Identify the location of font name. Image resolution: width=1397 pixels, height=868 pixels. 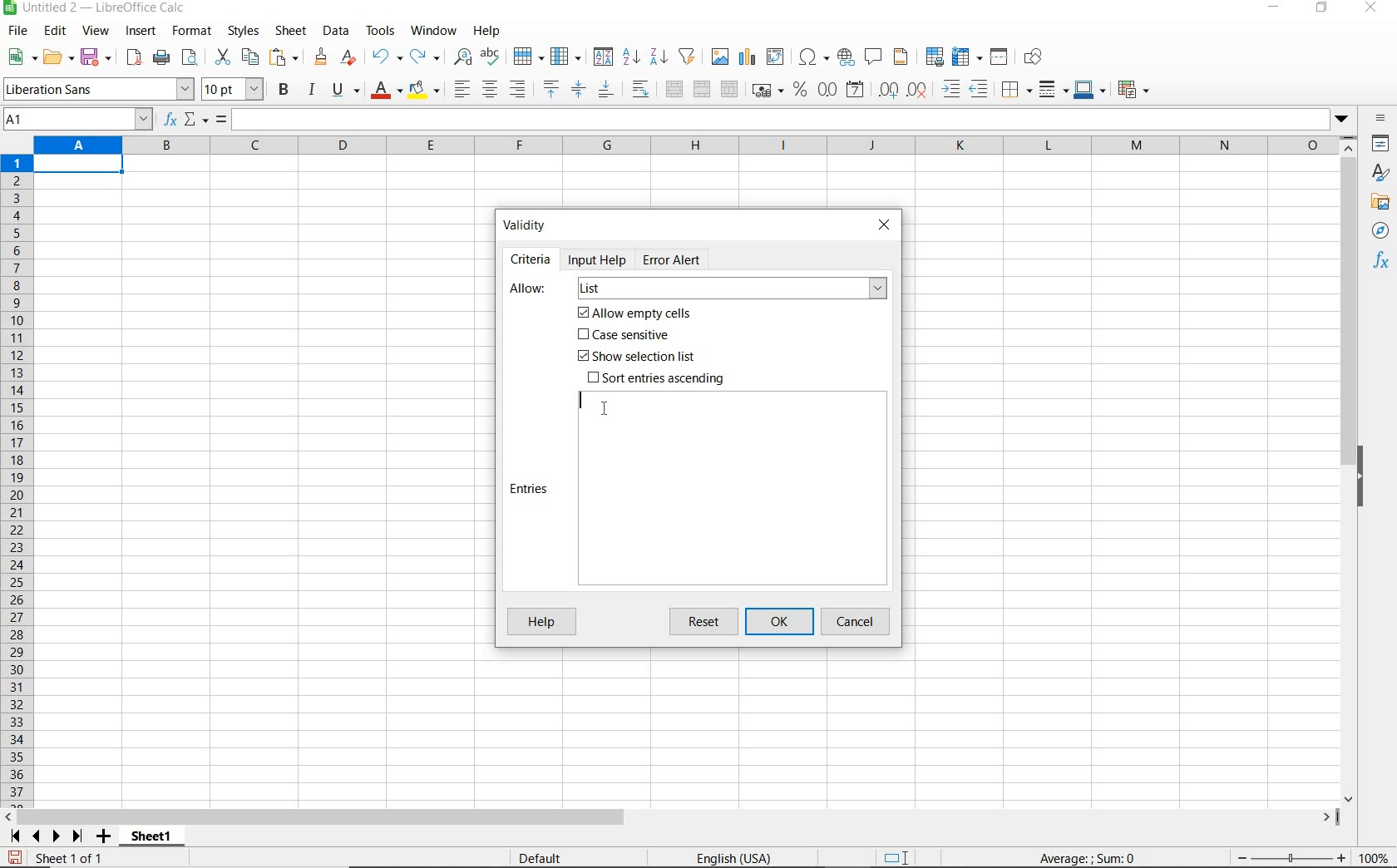
(98, 89).